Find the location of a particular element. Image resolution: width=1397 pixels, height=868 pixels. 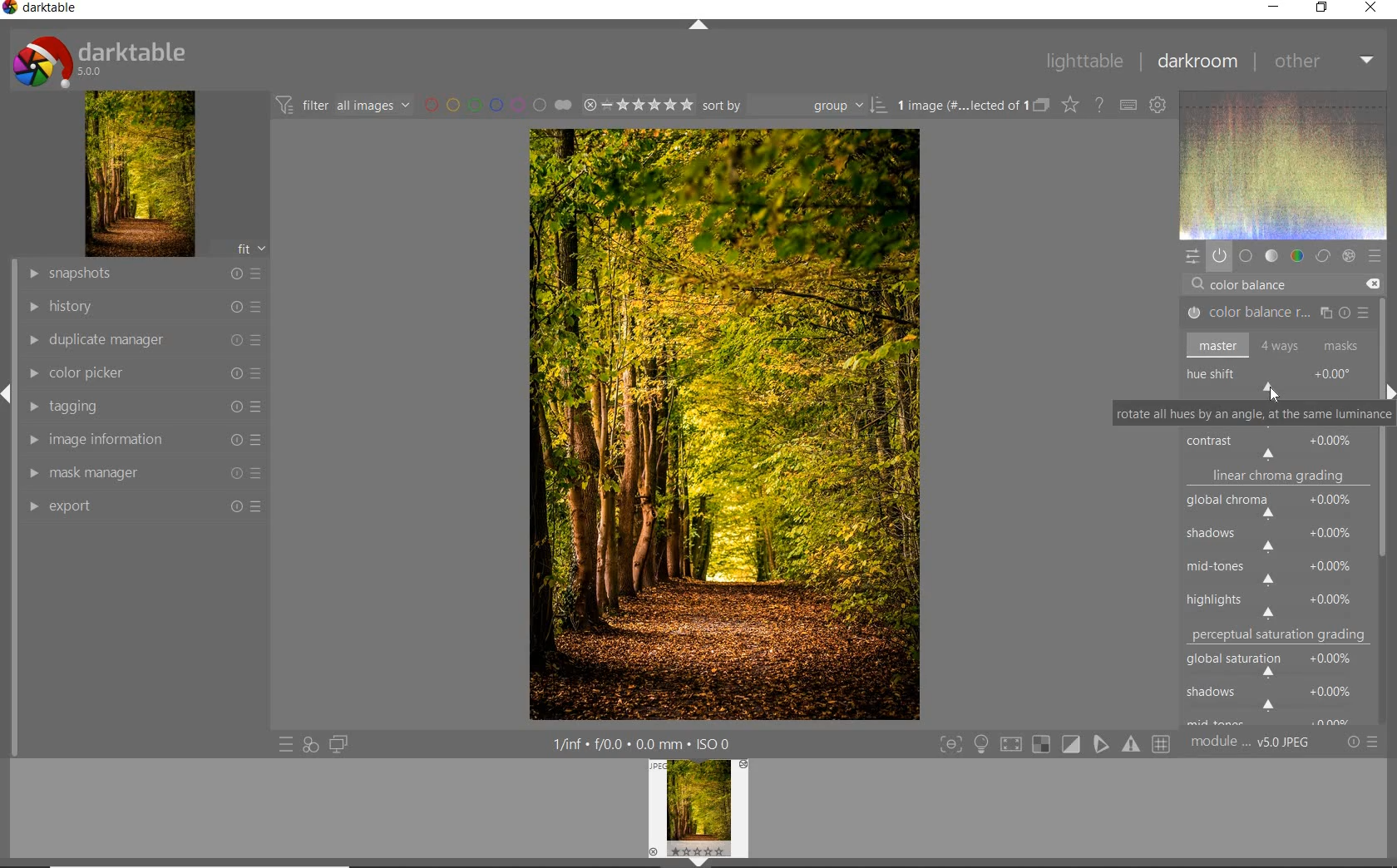

shadows is located at coordinates (1275, 540).